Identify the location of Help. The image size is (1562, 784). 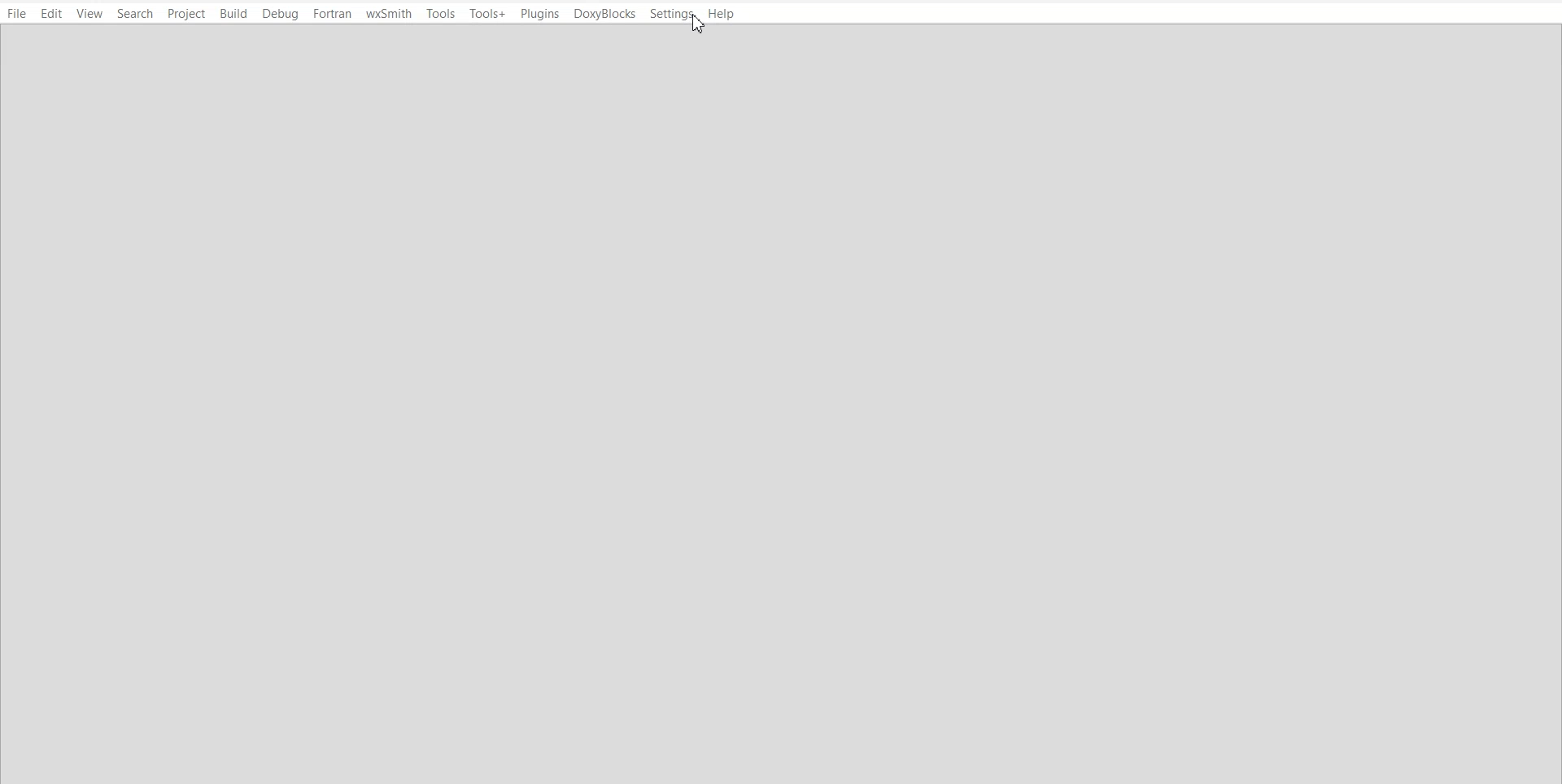
(722, 14).